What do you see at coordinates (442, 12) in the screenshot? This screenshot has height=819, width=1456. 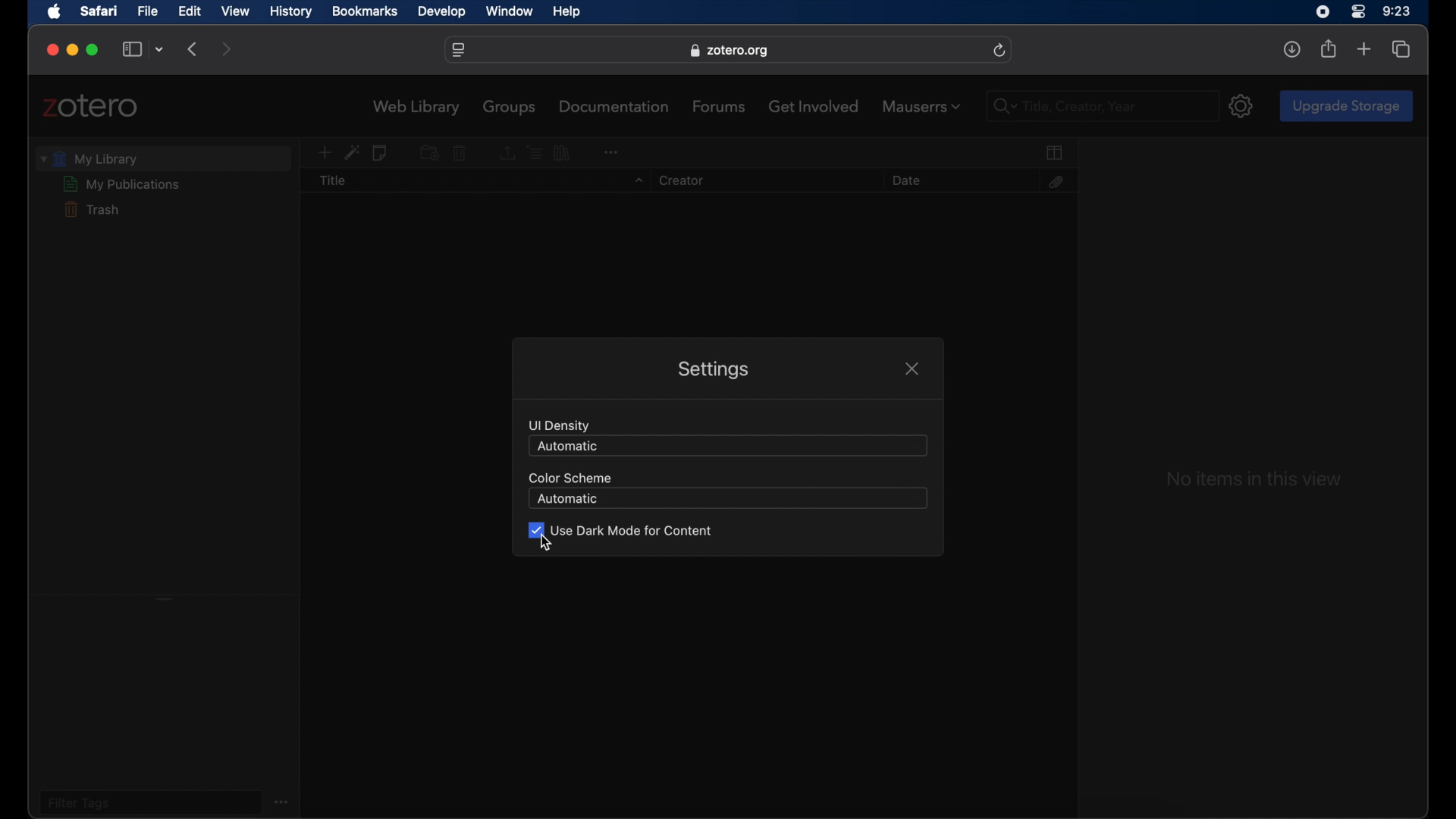 I see `develop` at bounding box center [442, 12].